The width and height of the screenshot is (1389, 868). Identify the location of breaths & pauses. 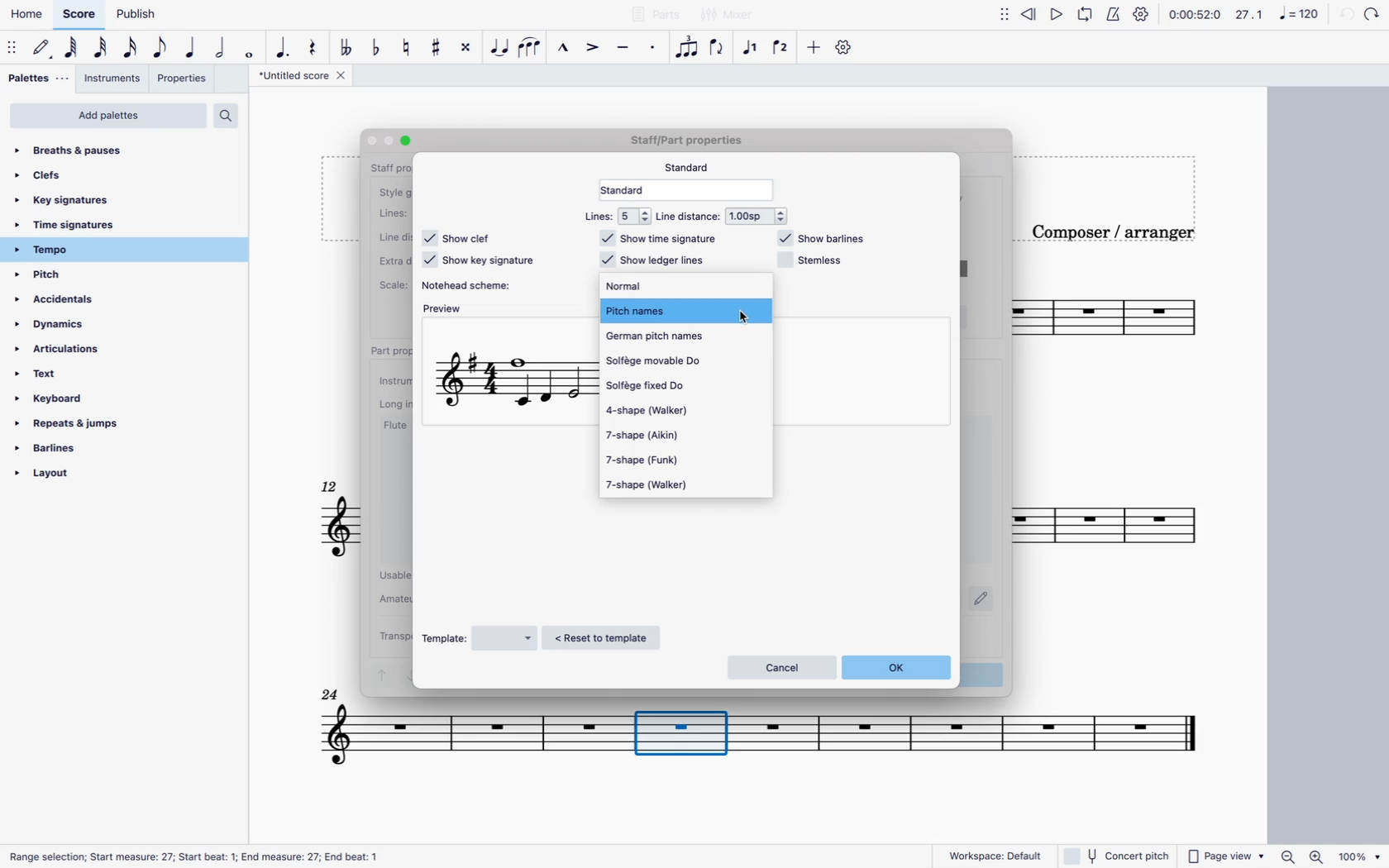
(73, 151).